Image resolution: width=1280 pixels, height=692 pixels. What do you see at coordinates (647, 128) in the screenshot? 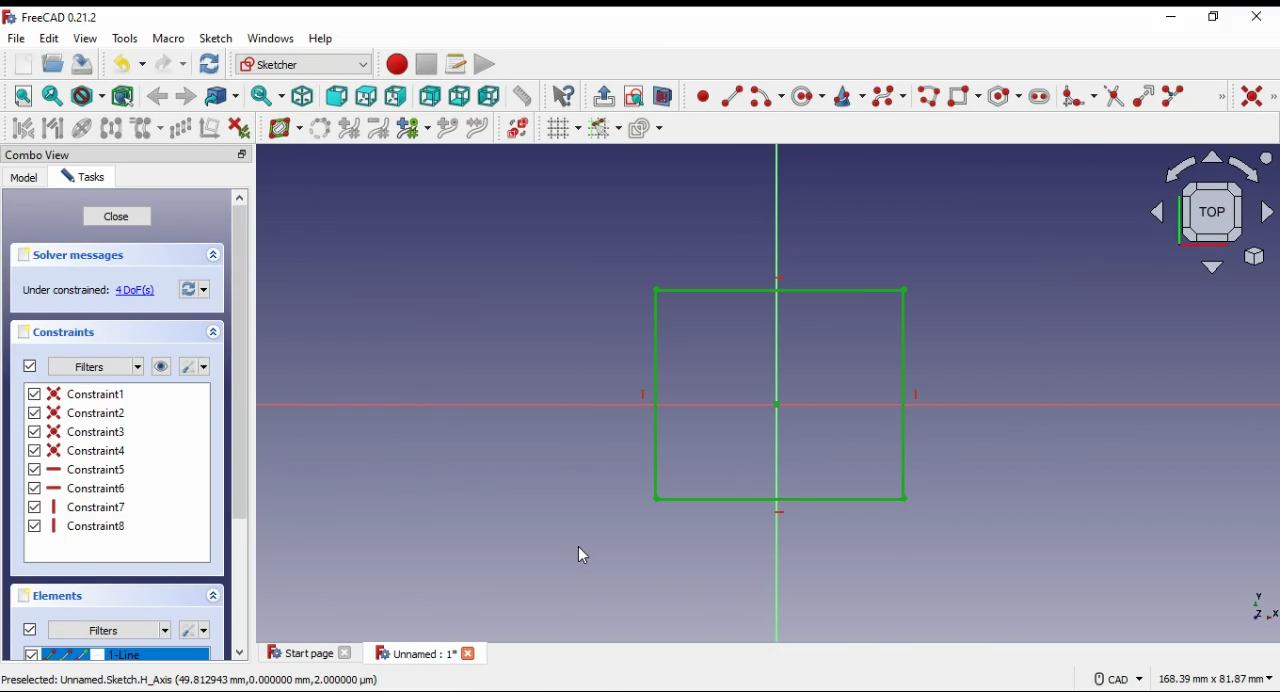
I see `configure rendering order` at bounding box center [647, 128].